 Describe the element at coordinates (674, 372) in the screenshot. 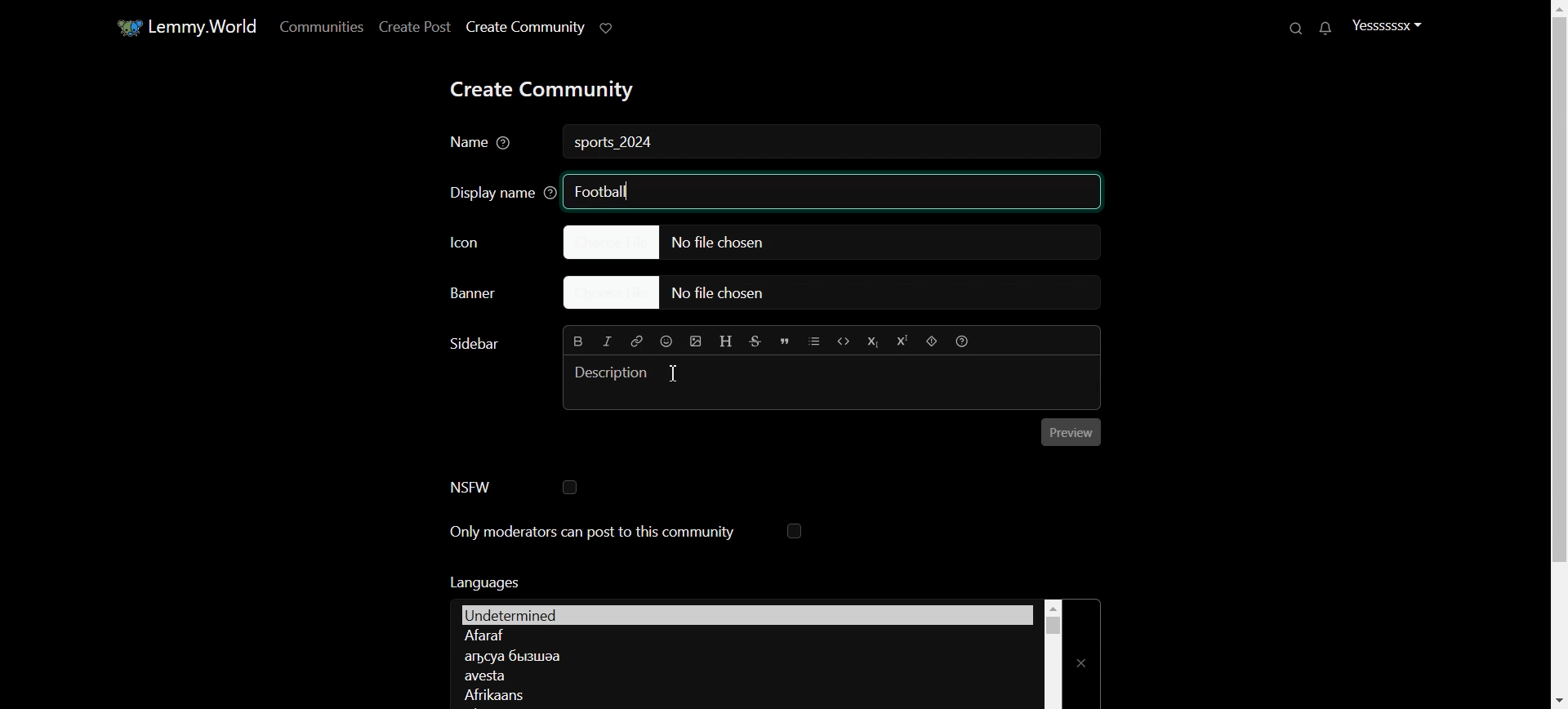

I see `Text Cursor` at that location.